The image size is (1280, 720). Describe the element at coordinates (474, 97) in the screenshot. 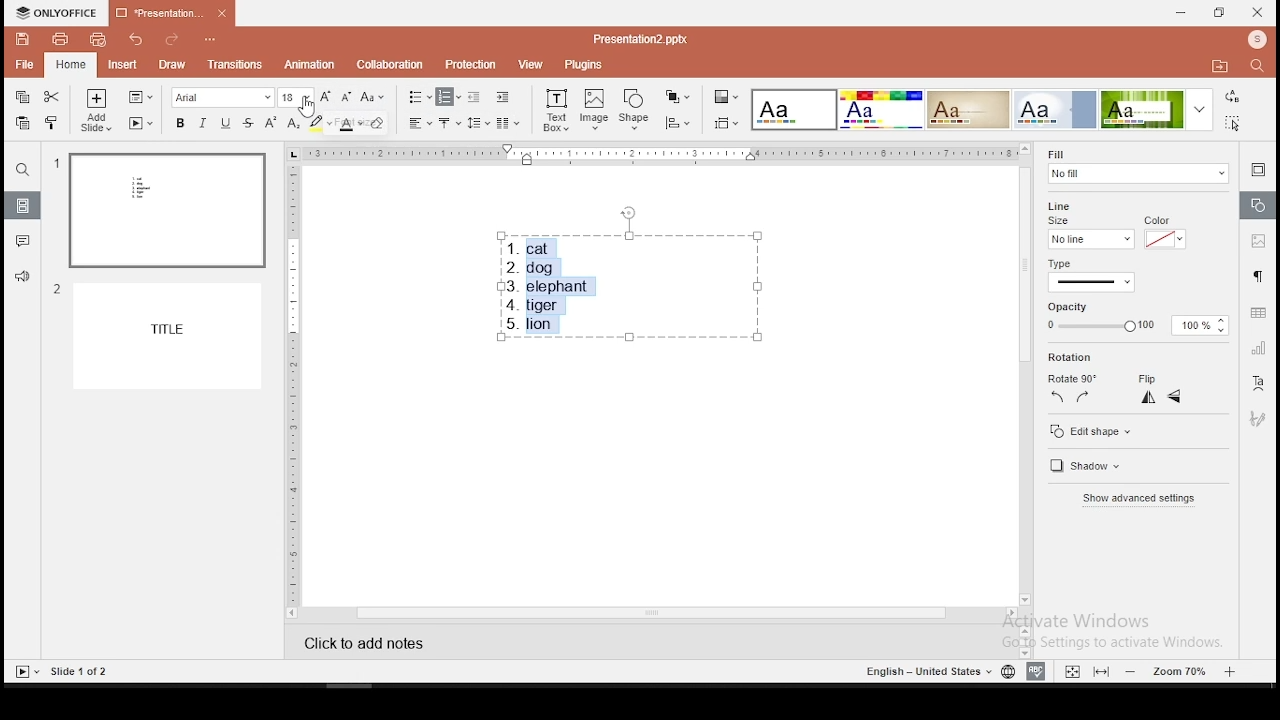

I see `decrease indent` at that location.